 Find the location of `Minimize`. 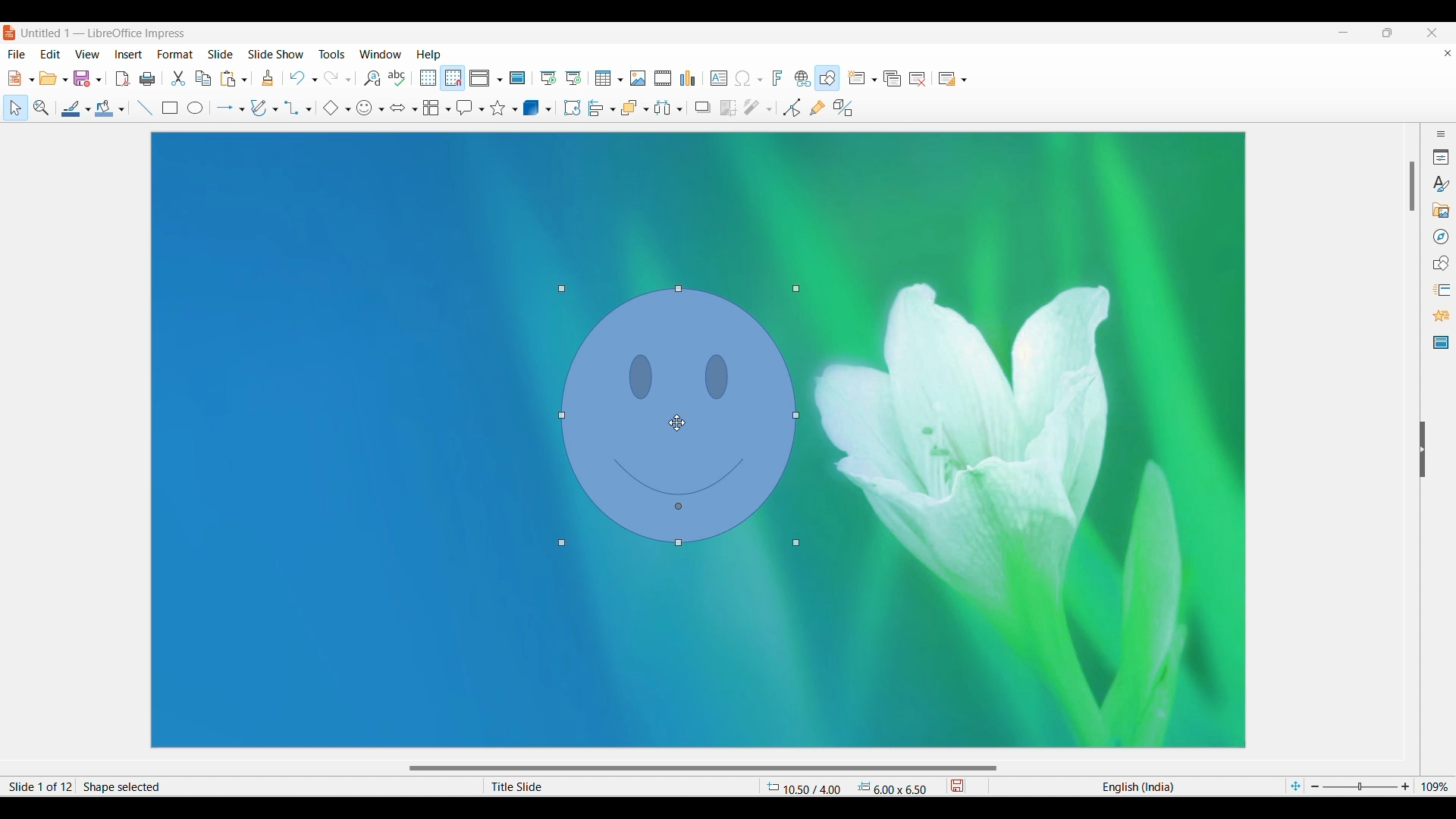

Minimize is located at coordinates (1344, 33).